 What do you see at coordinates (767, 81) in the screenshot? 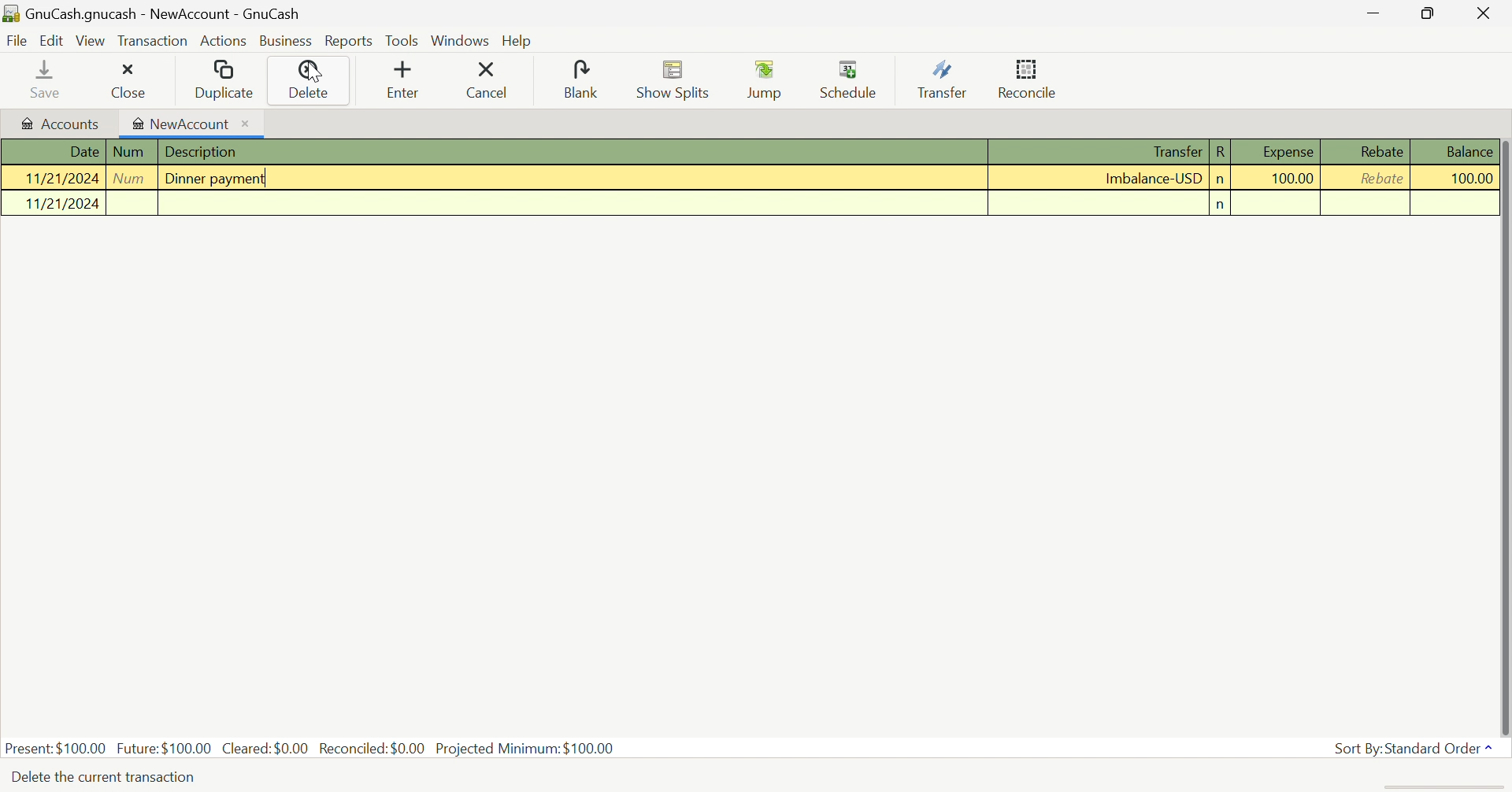
I see `Jump` at bounding box center [767, 81].